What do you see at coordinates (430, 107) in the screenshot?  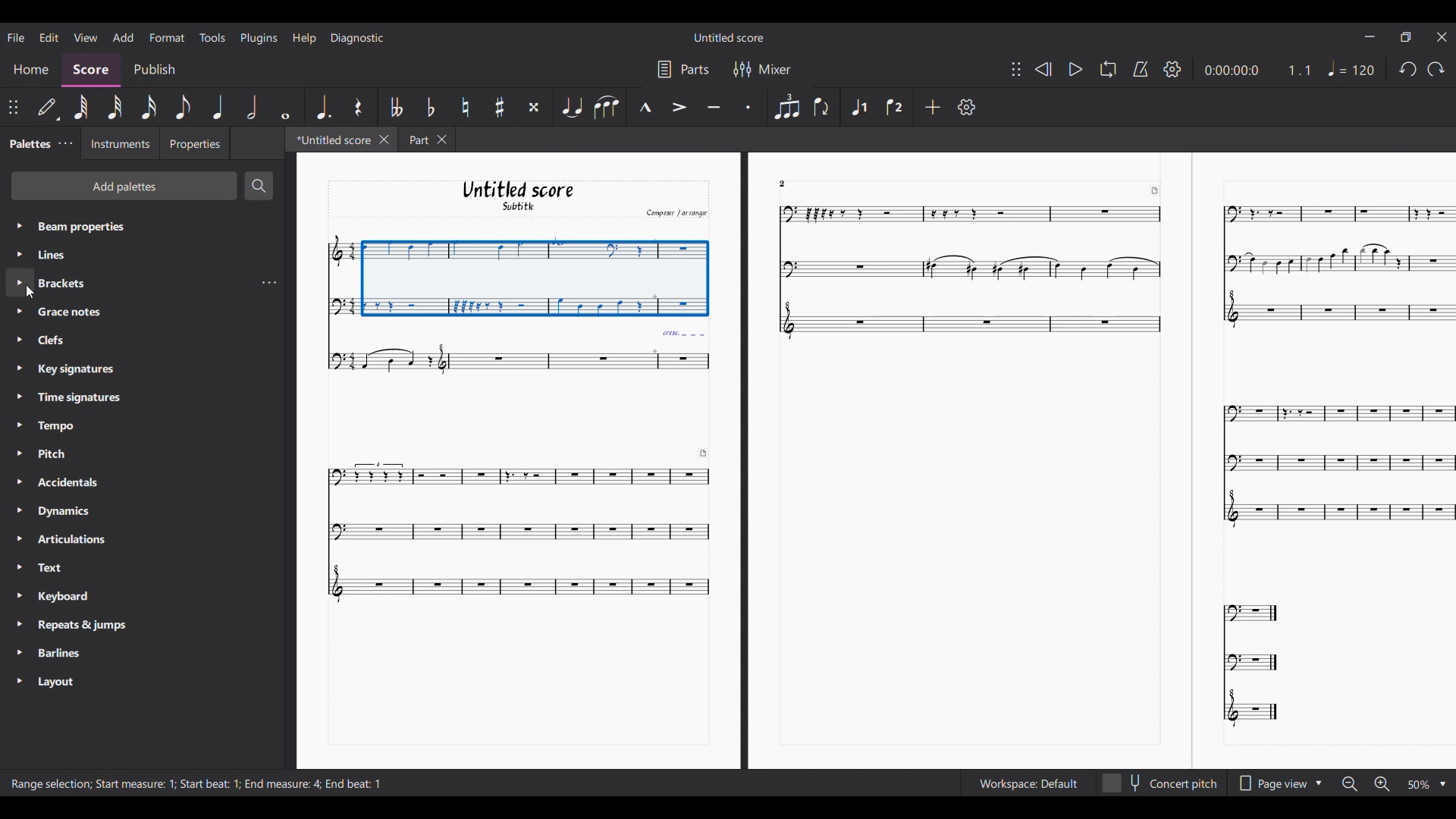 I see `Toggle flat` at bounding box center [430, 107].